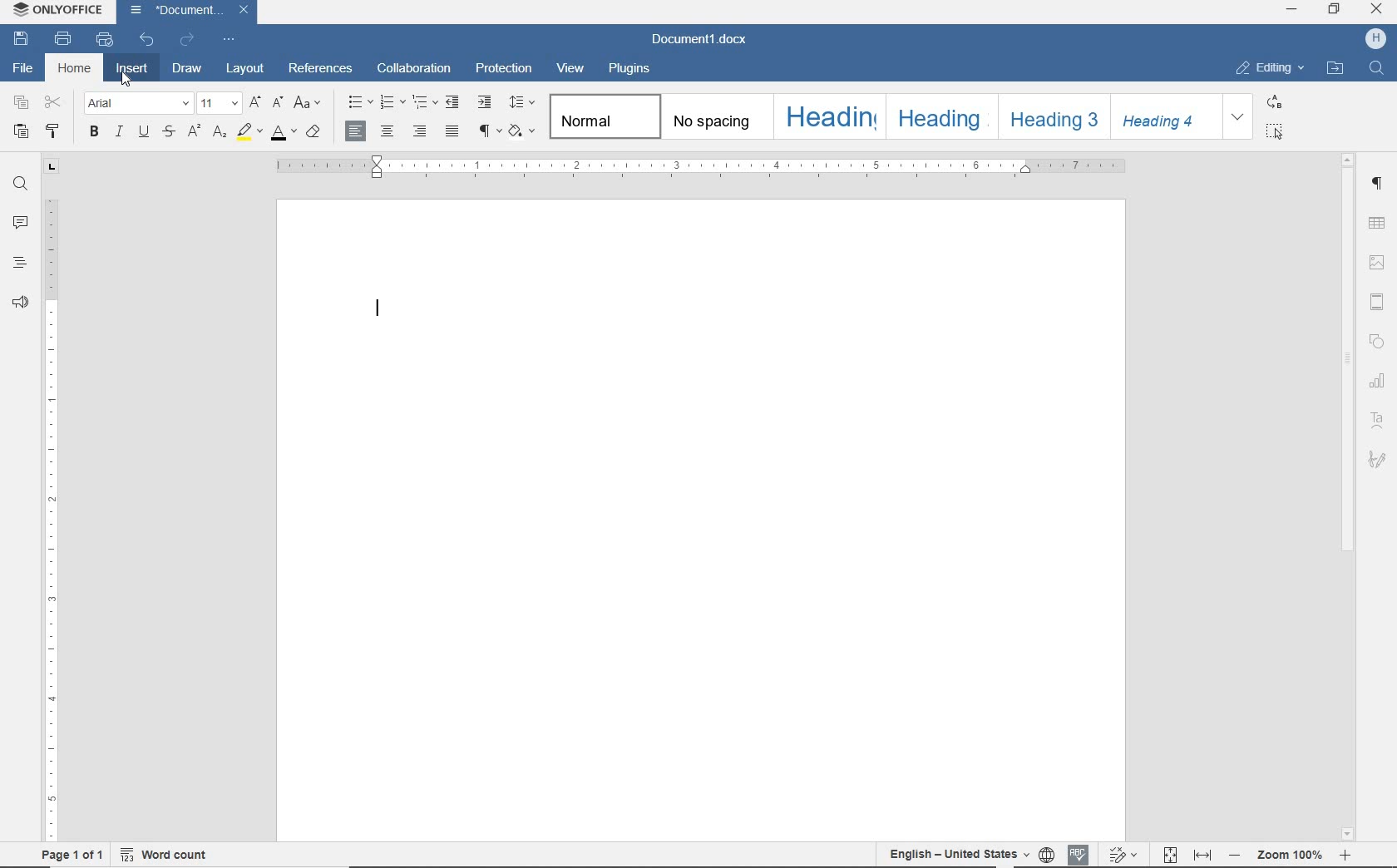 This screenshot has height=868, width=1397. Describe the element at coordinates (73, 72) in the screenshot. I see `home` at that location.